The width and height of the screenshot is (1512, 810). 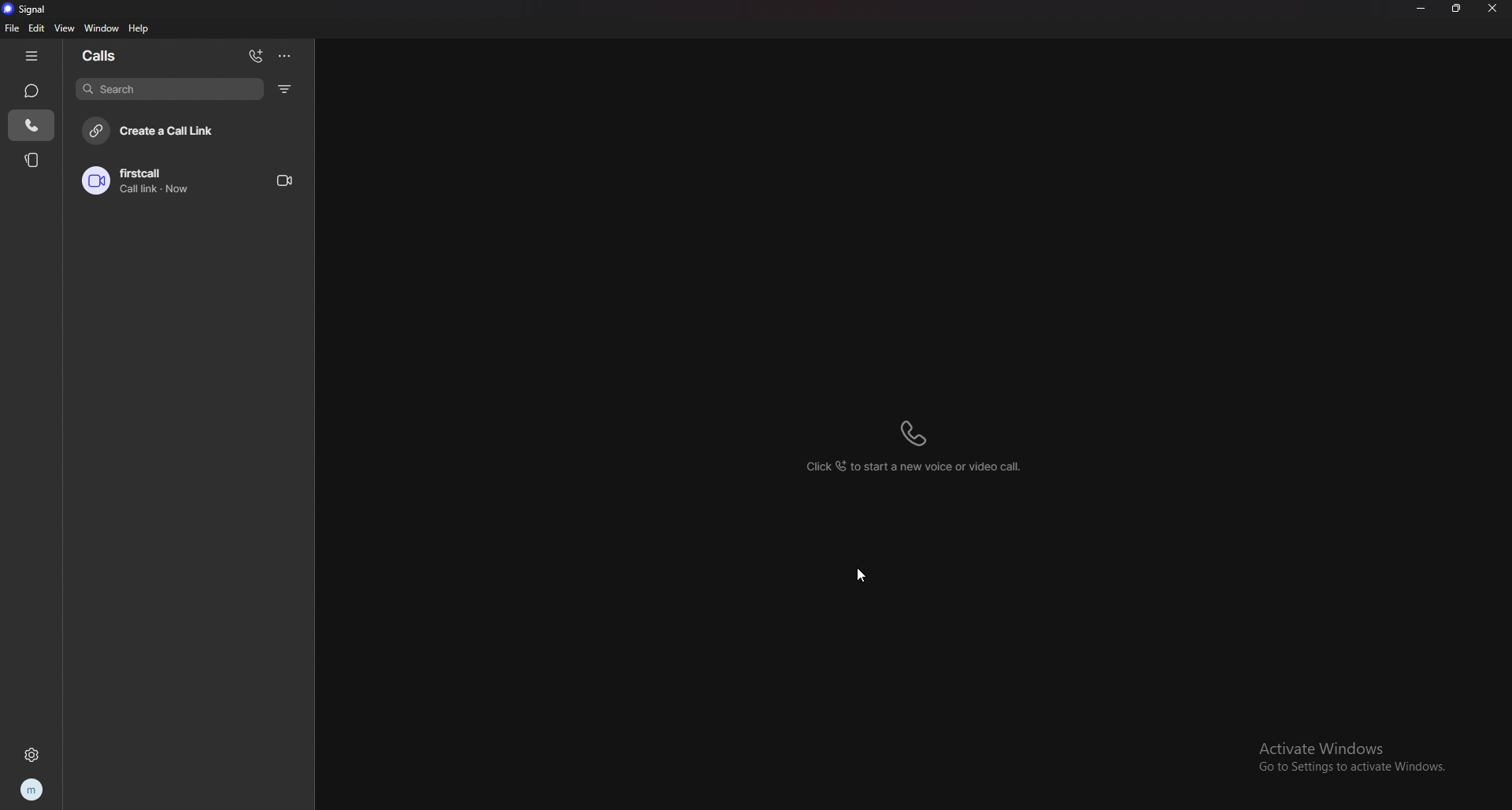 I want to click on hide tab, so click(x=31, y=57).